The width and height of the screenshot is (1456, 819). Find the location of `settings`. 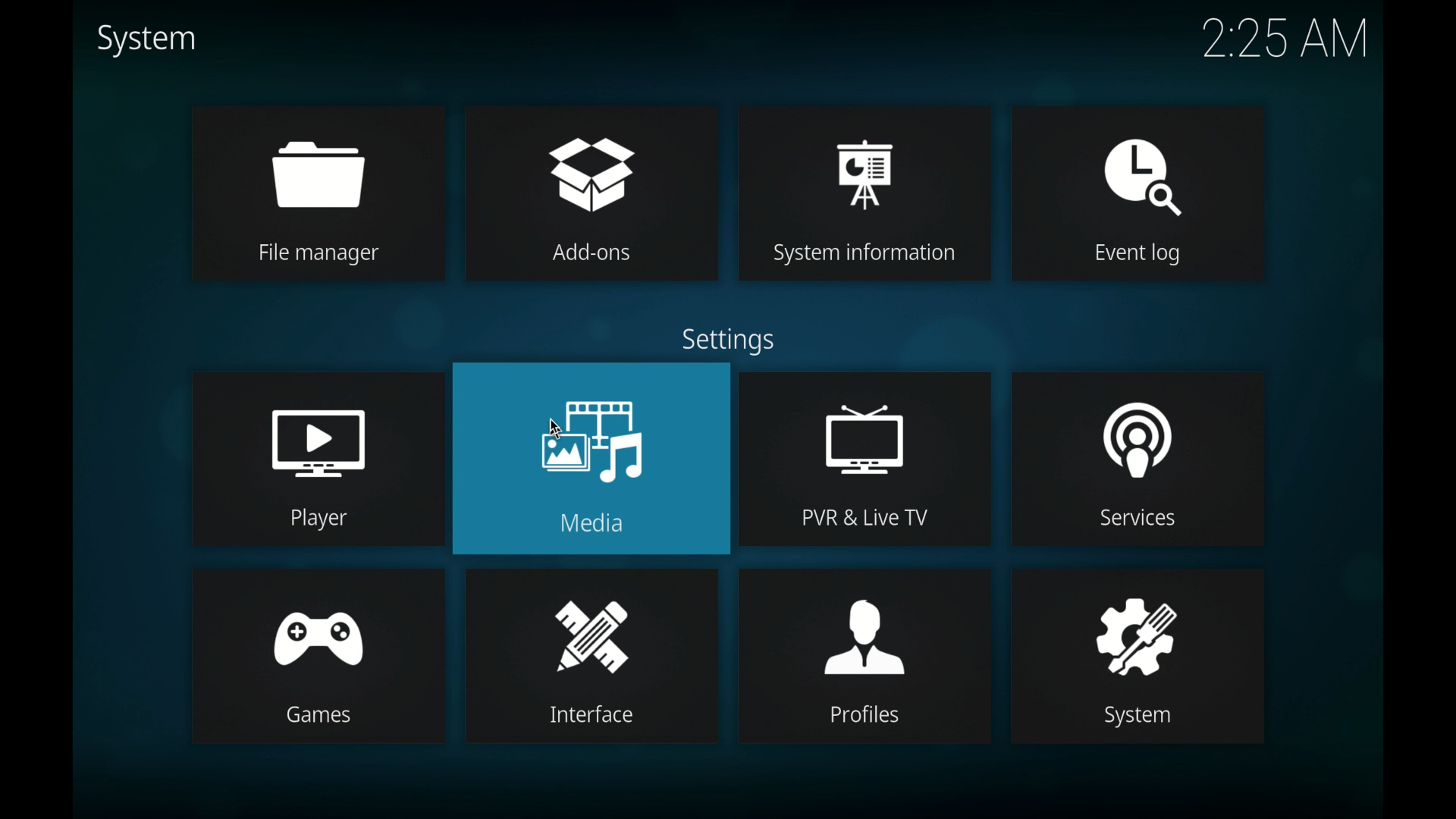

settings is located at coordinates (727, 340).